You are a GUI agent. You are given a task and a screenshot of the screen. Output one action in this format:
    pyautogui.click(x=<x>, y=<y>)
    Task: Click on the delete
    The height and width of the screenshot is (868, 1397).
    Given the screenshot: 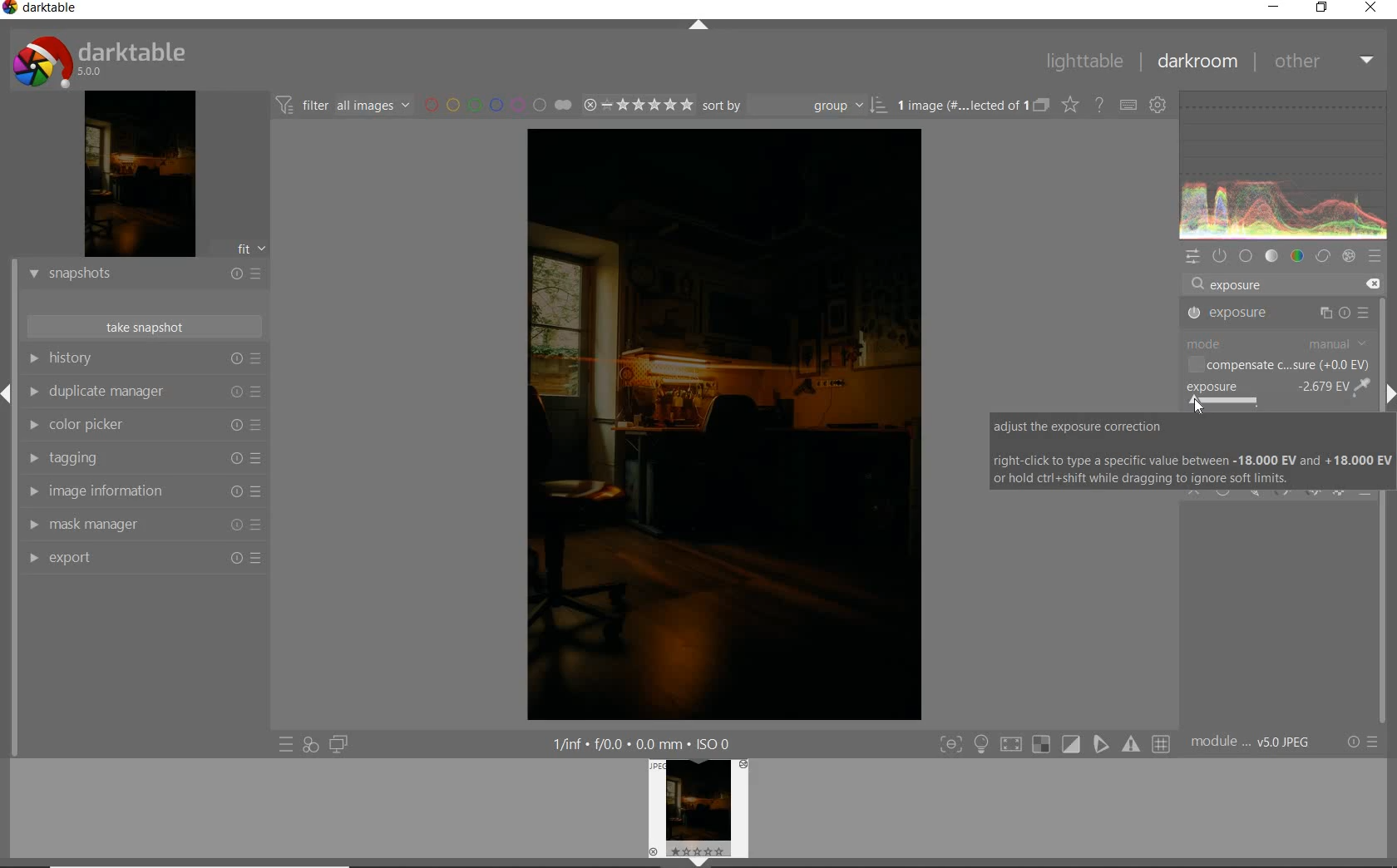 What is the action you would take?
    pyautogui.click(x=1372, y=284)
    